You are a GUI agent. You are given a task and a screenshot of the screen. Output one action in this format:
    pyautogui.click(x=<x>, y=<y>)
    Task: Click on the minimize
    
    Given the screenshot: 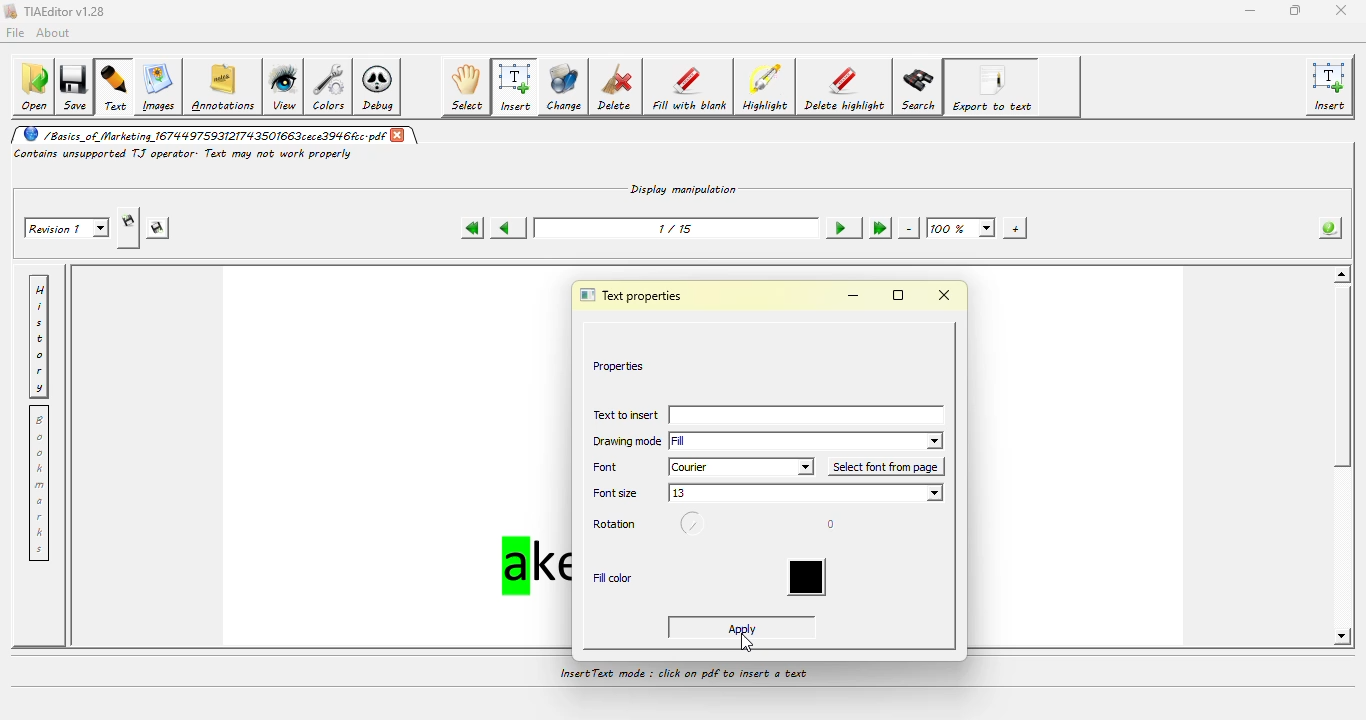 What is the action you would take?
    pyautogui.click(x=853, y=296)
    